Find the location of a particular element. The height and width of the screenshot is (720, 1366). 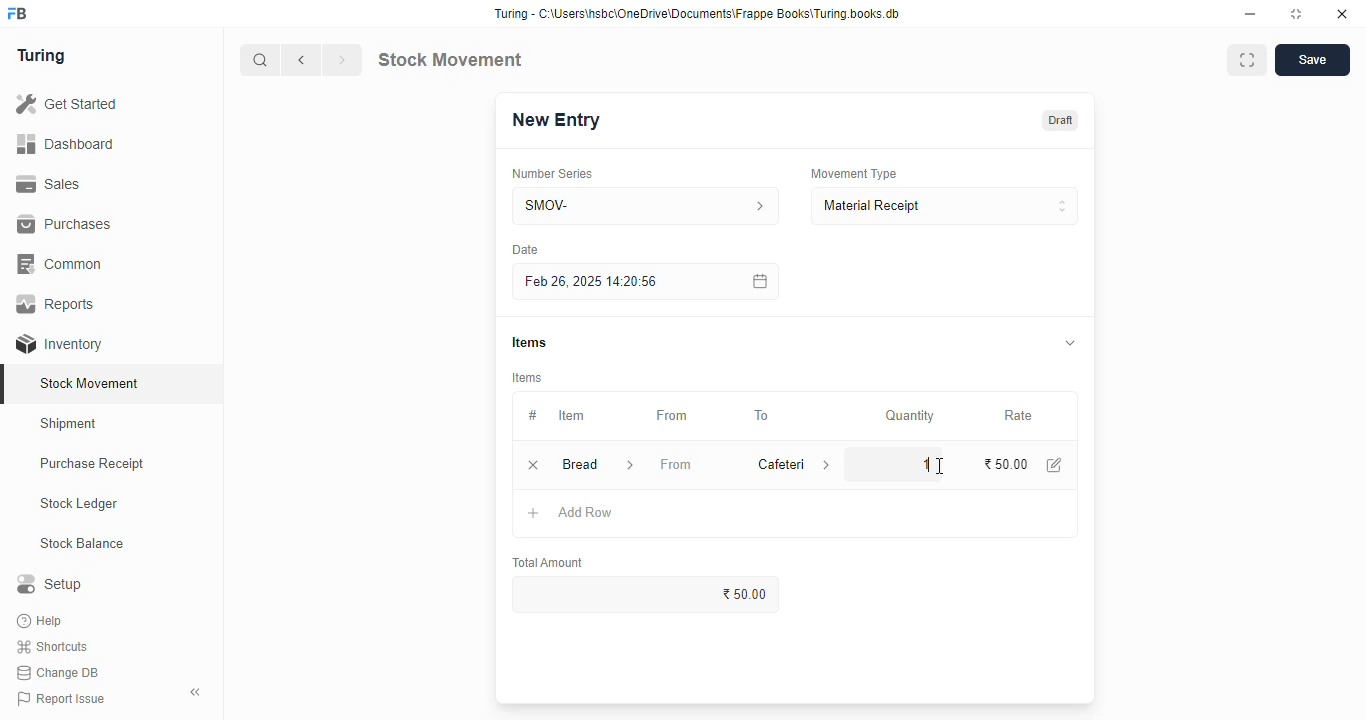

cursor is located at coordinates (939, 466).